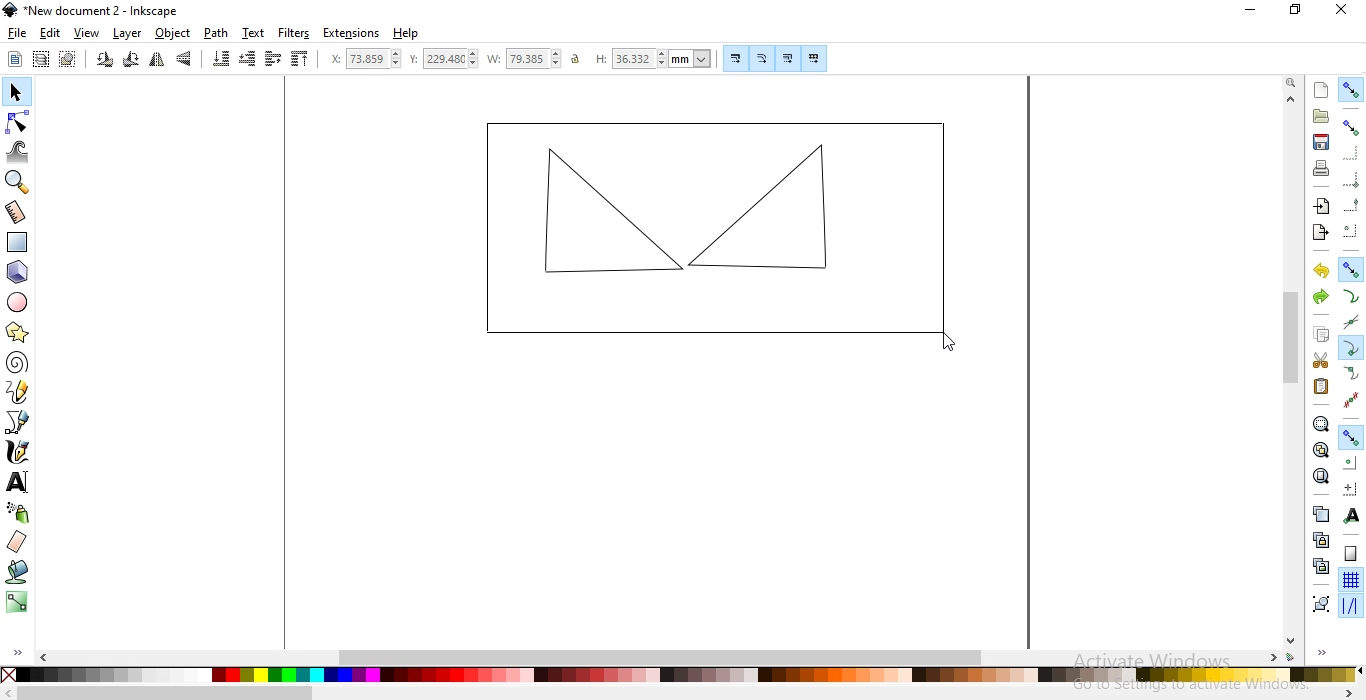 The height and width of the screenshot is (700, 1366). I want to click on snap bounding box corners, so click(1352, 177).